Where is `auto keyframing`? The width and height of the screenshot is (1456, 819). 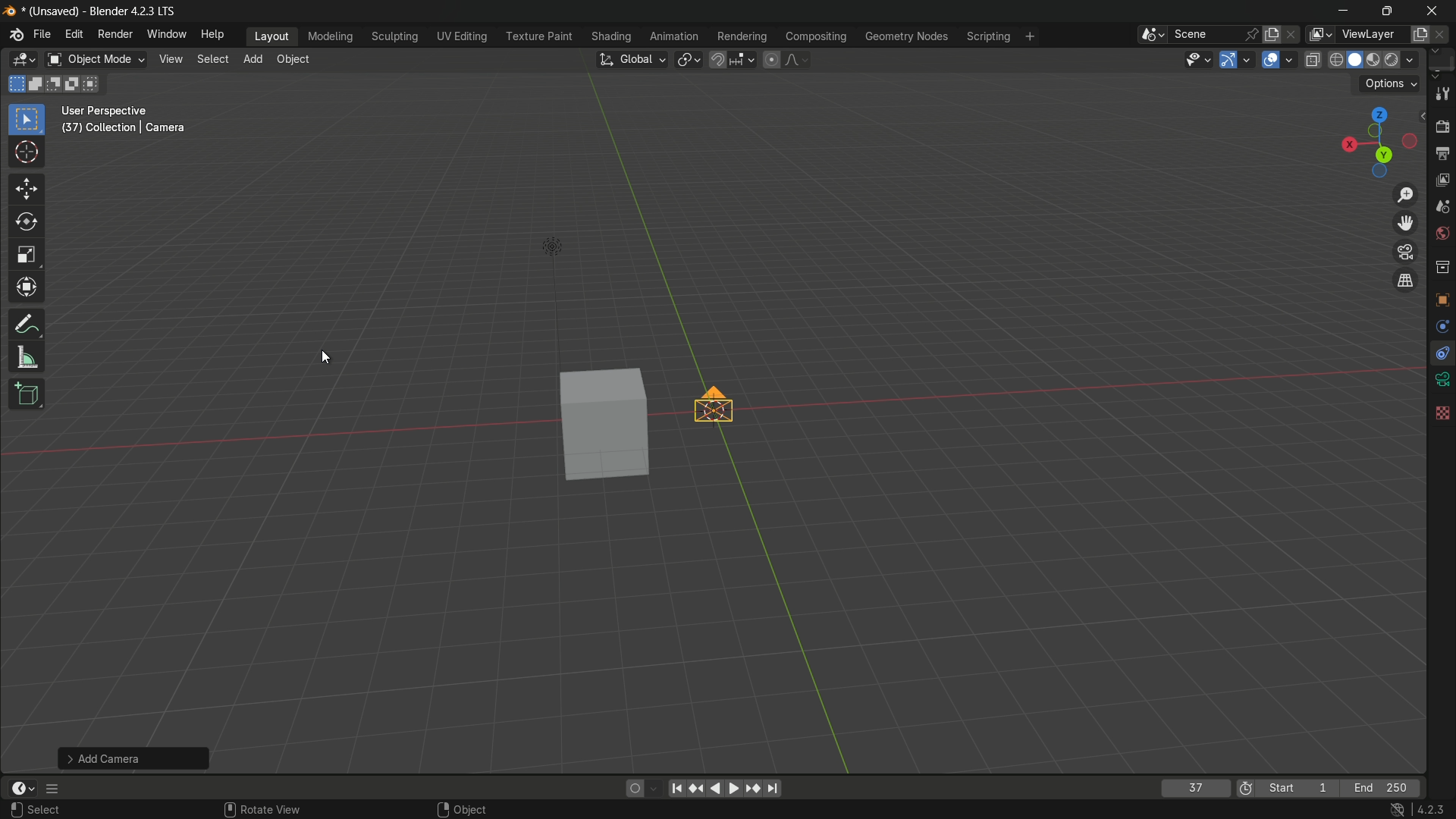 auto keyframing is located at coordinates (657, 788).